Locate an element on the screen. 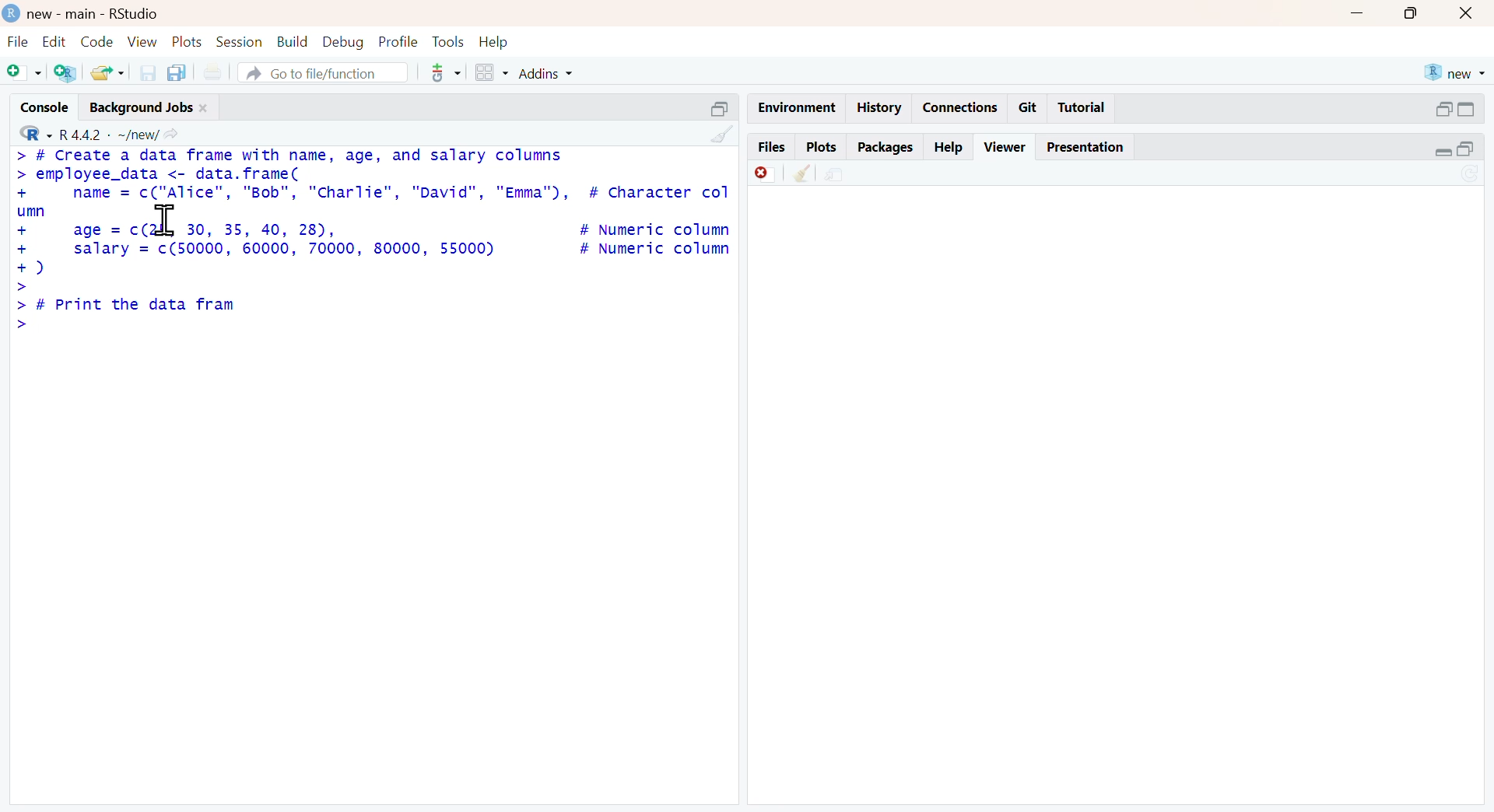 The width and height of the screenshot is (1494, 812). Presentation is located at coordinates (1085, 147).